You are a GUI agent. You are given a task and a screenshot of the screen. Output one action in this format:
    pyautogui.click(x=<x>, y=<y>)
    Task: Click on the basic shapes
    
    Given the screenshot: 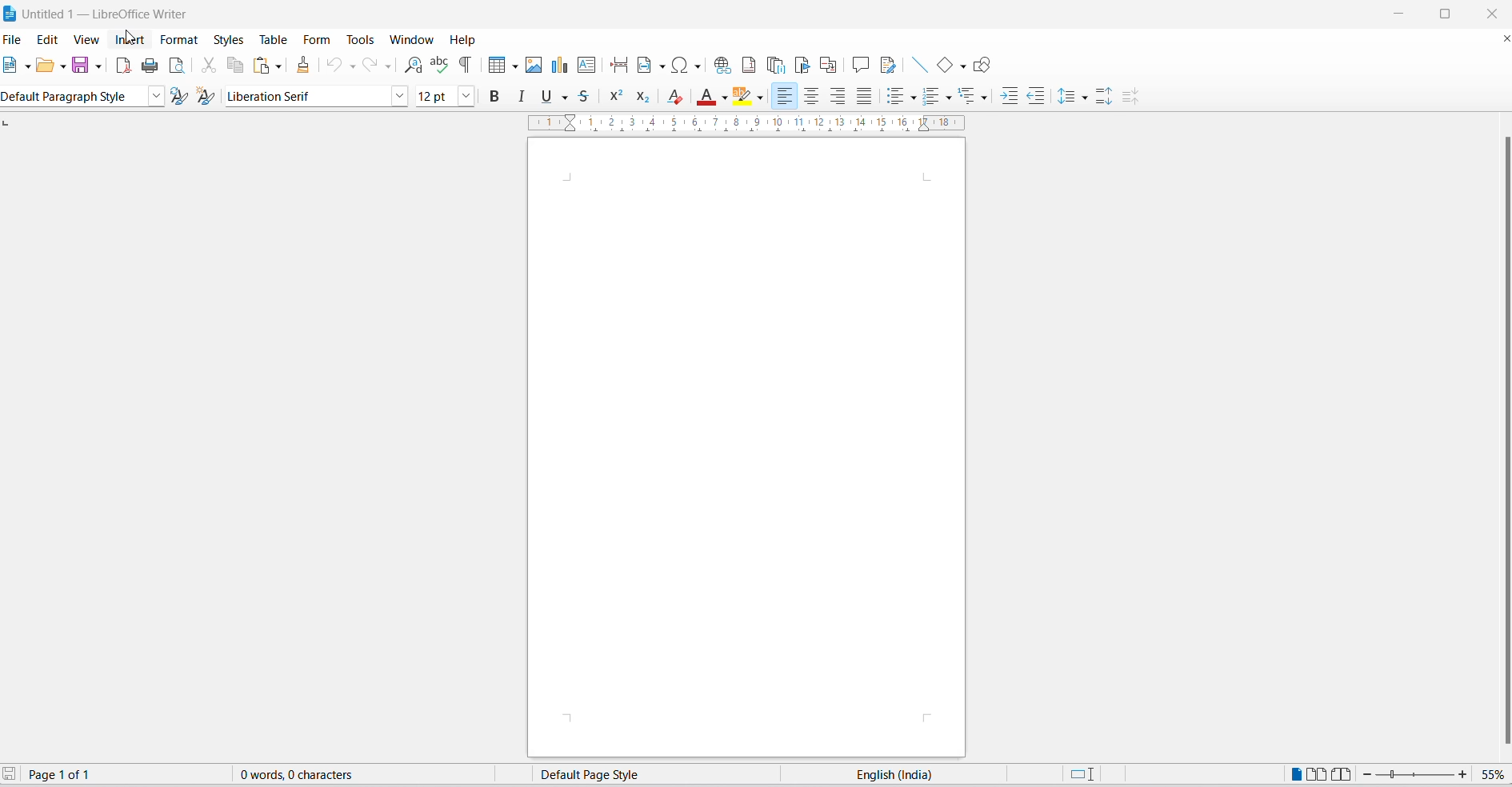 What is the action you would take?
    pyautogui.click(x=942, y=65)
    